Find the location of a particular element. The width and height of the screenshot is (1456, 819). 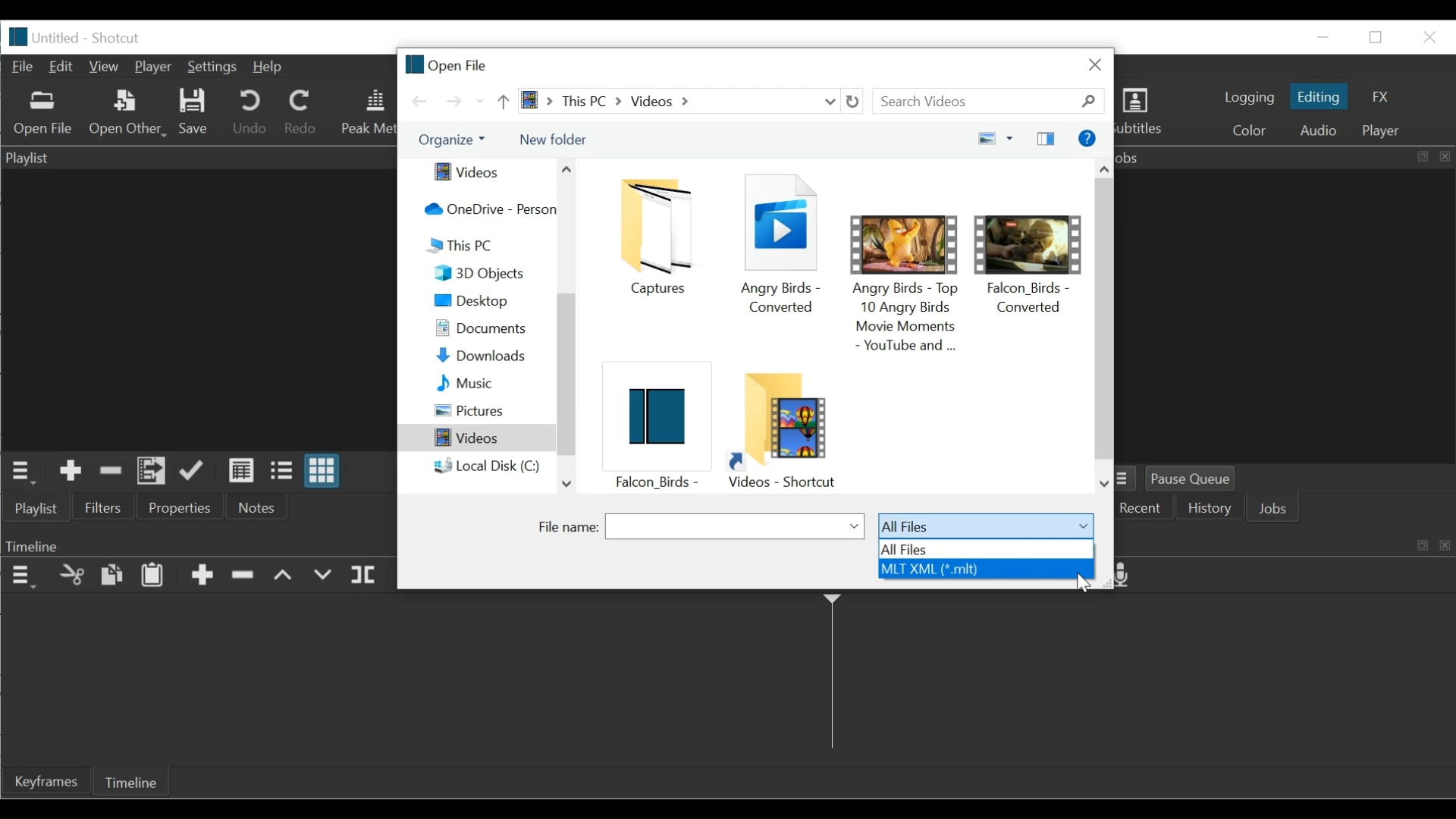

Timeline Panel is located at coordinates (199, 544).